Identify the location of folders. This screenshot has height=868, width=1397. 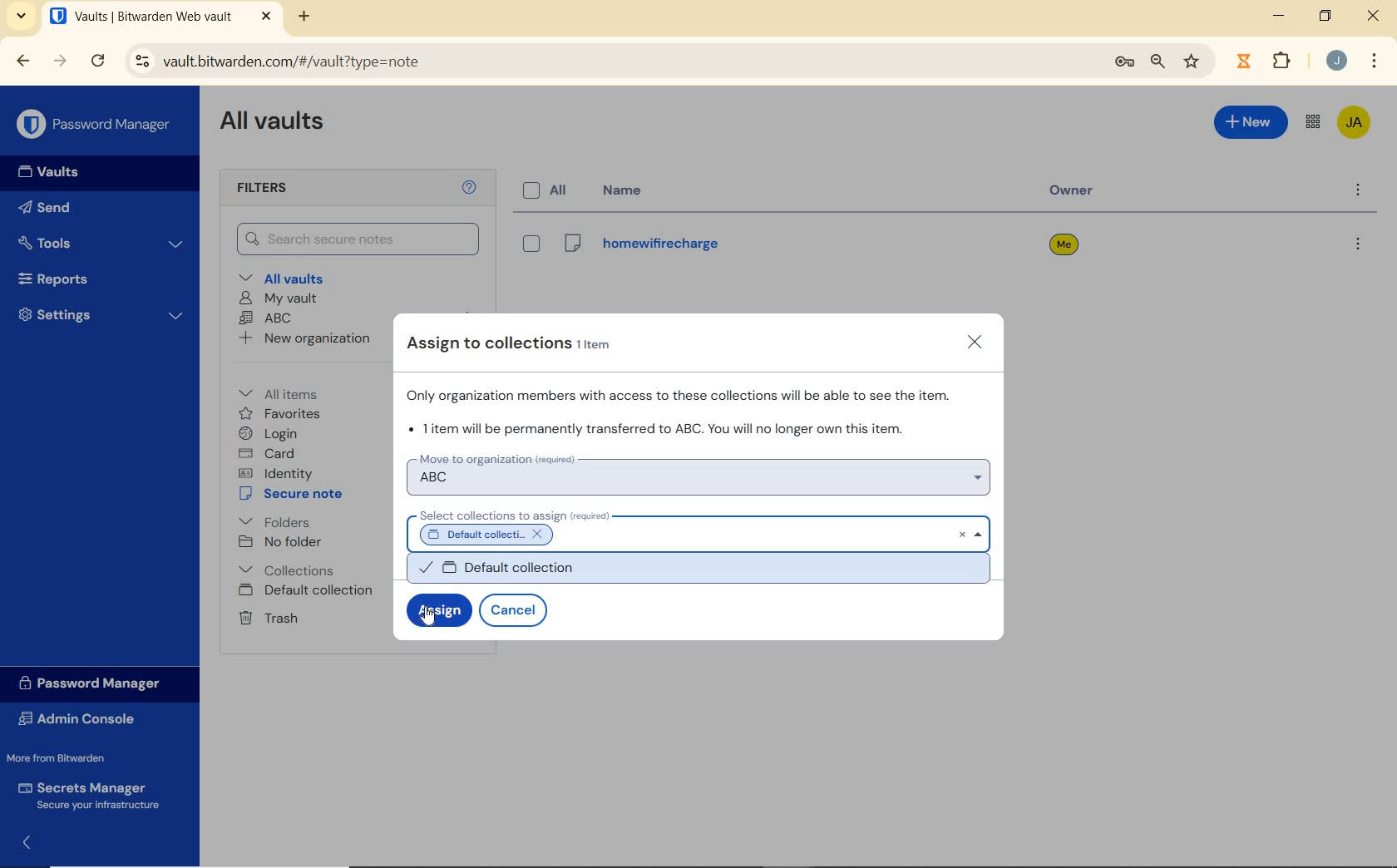
(274, 520).